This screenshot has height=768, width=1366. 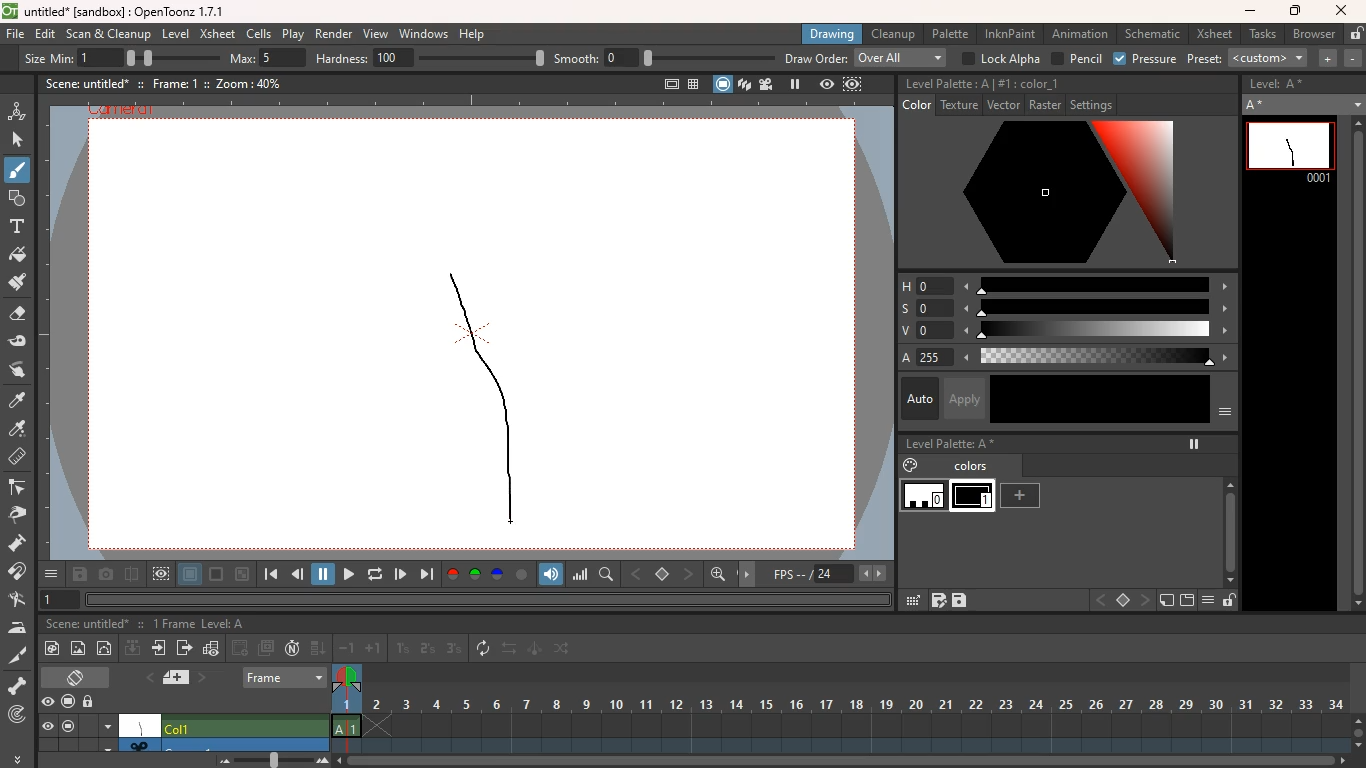 What do you see at coordinates (1145, 59) in the screenshot?
I see `pressure` at bounding box center [1145, 59].